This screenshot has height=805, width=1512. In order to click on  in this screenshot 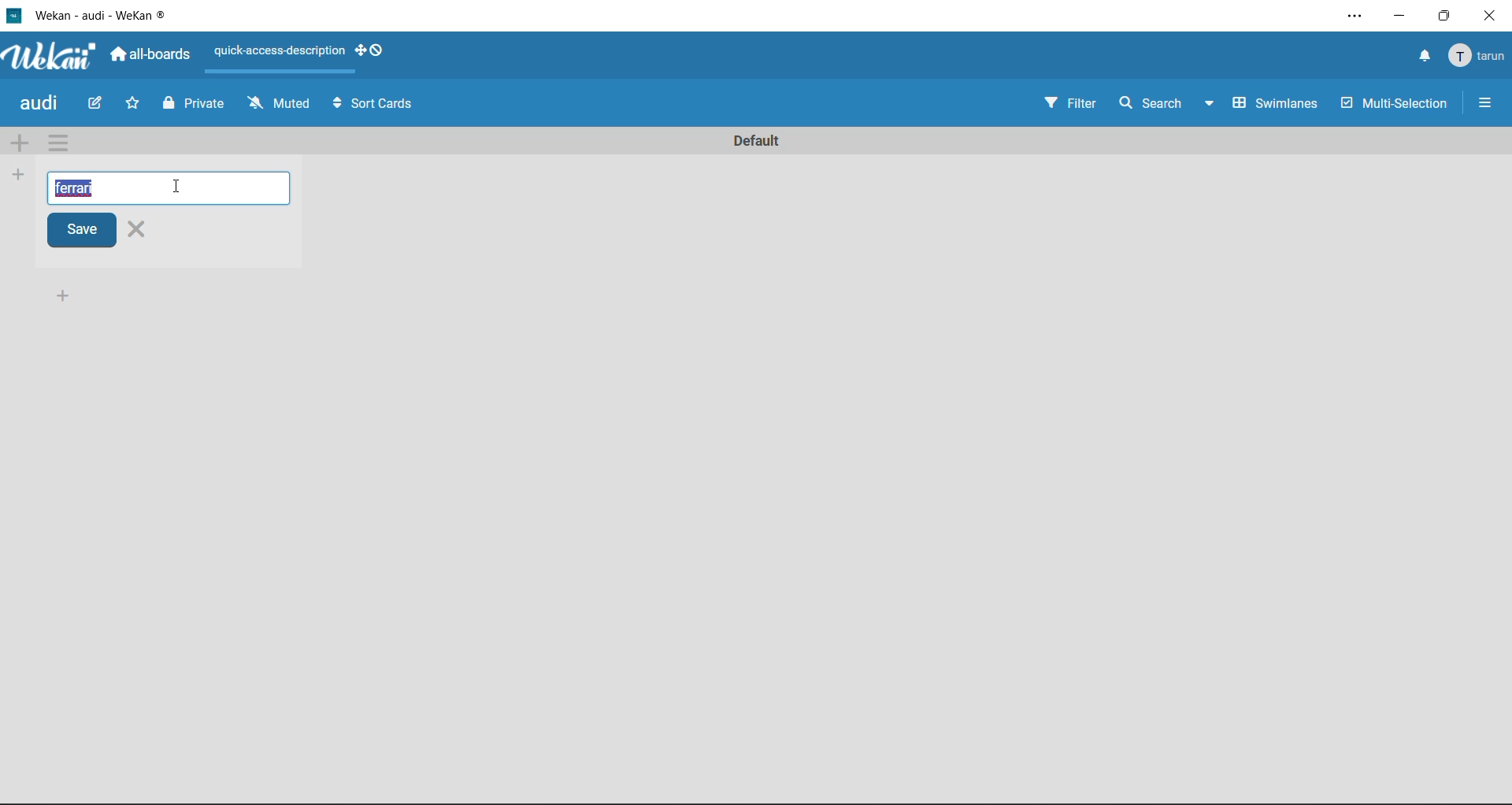, I will do `click(1445, 16)`.